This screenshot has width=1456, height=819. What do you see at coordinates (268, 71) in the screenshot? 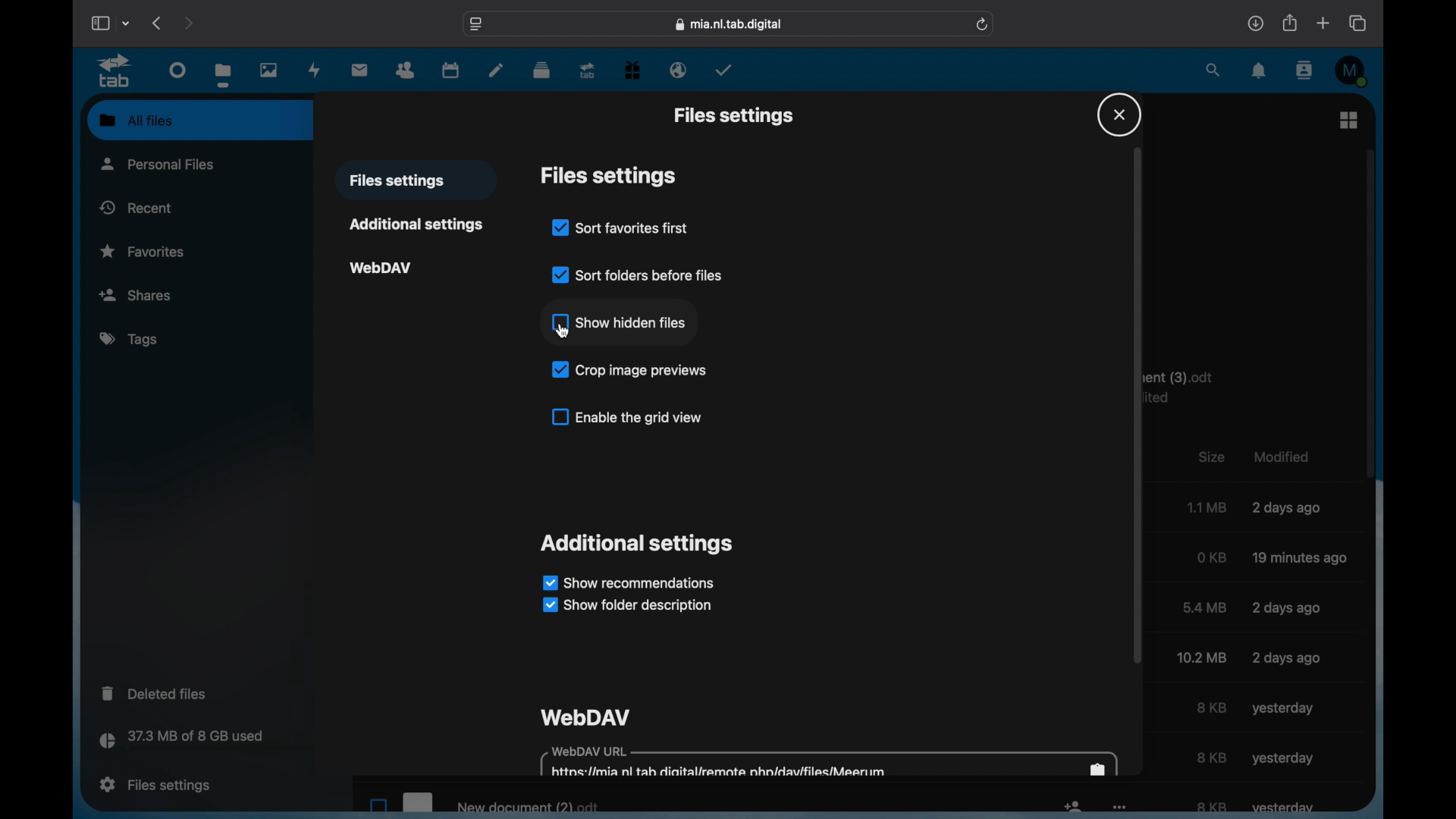
I see `photos` at bounding box center [268, 71].